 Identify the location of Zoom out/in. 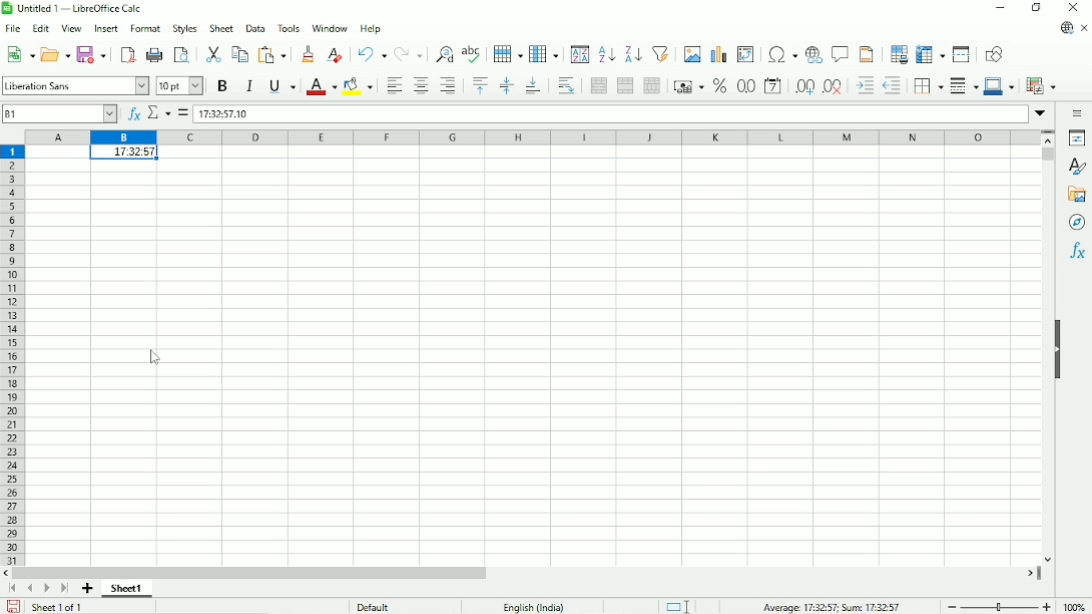
(1000, 604).